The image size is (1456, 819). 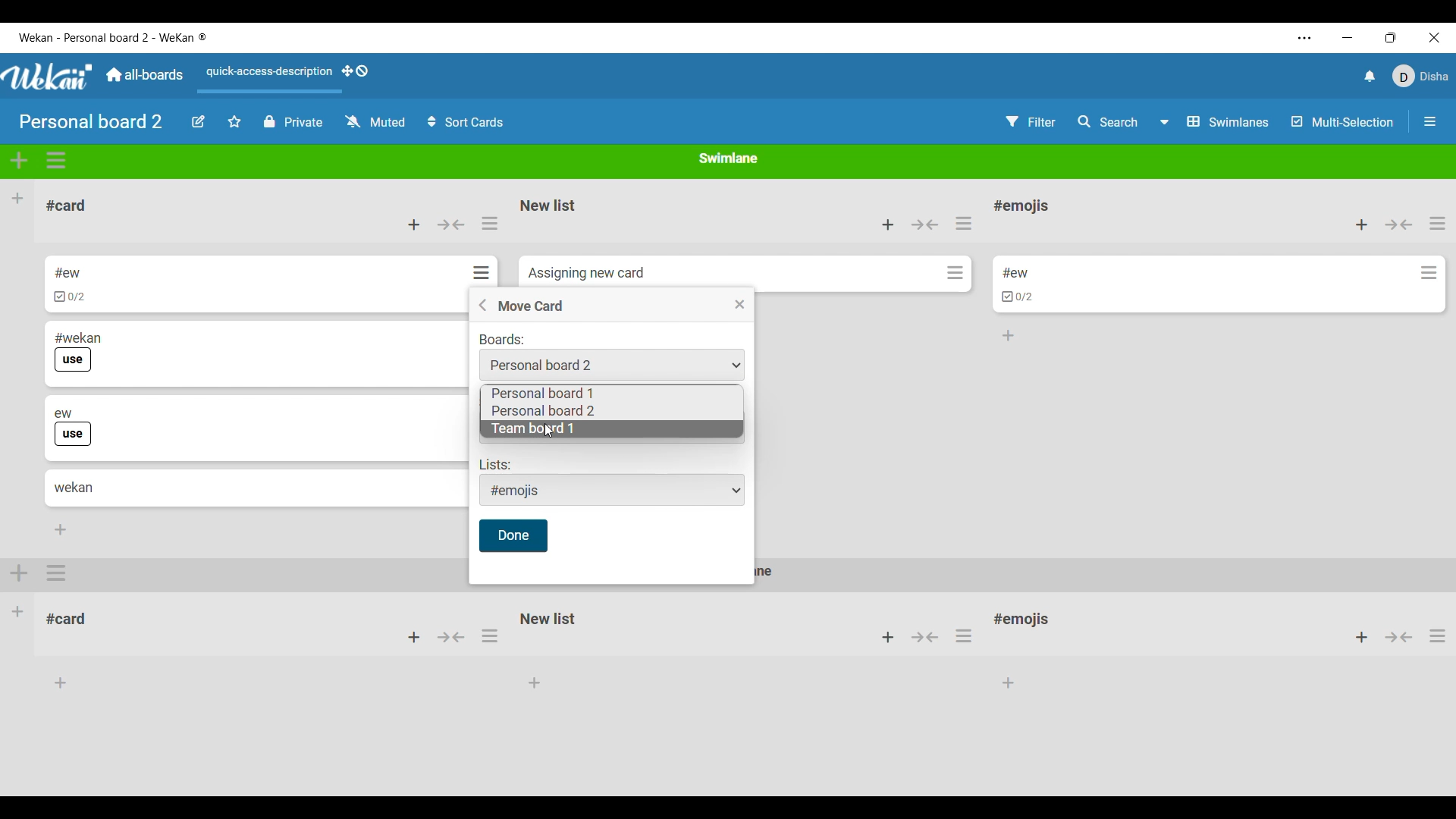 I want to click on Privacy options, so click(x=293, y=122).